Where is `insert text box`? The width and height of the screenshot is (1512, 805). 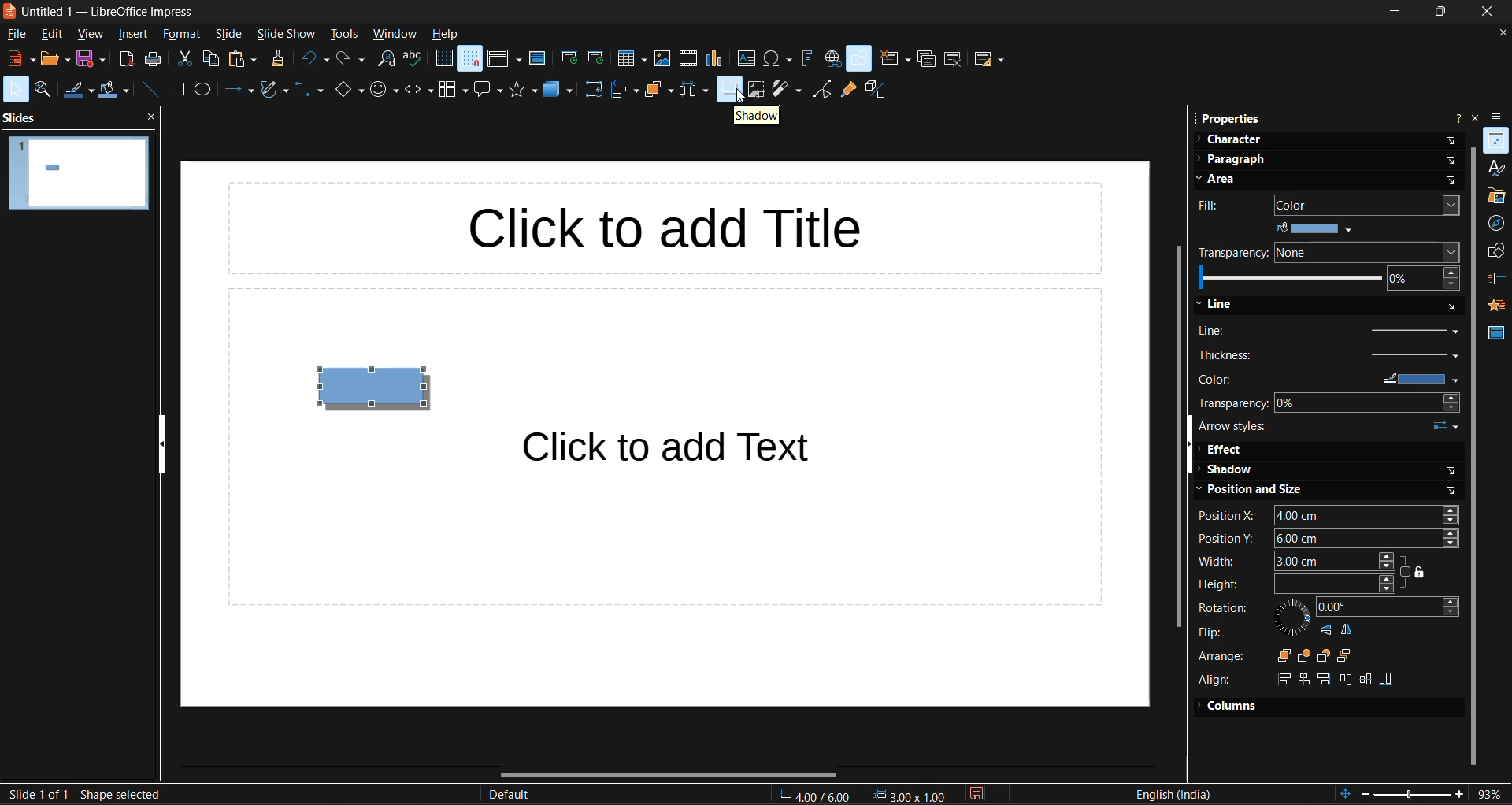 insert text box is located at coordinates (743, 57).